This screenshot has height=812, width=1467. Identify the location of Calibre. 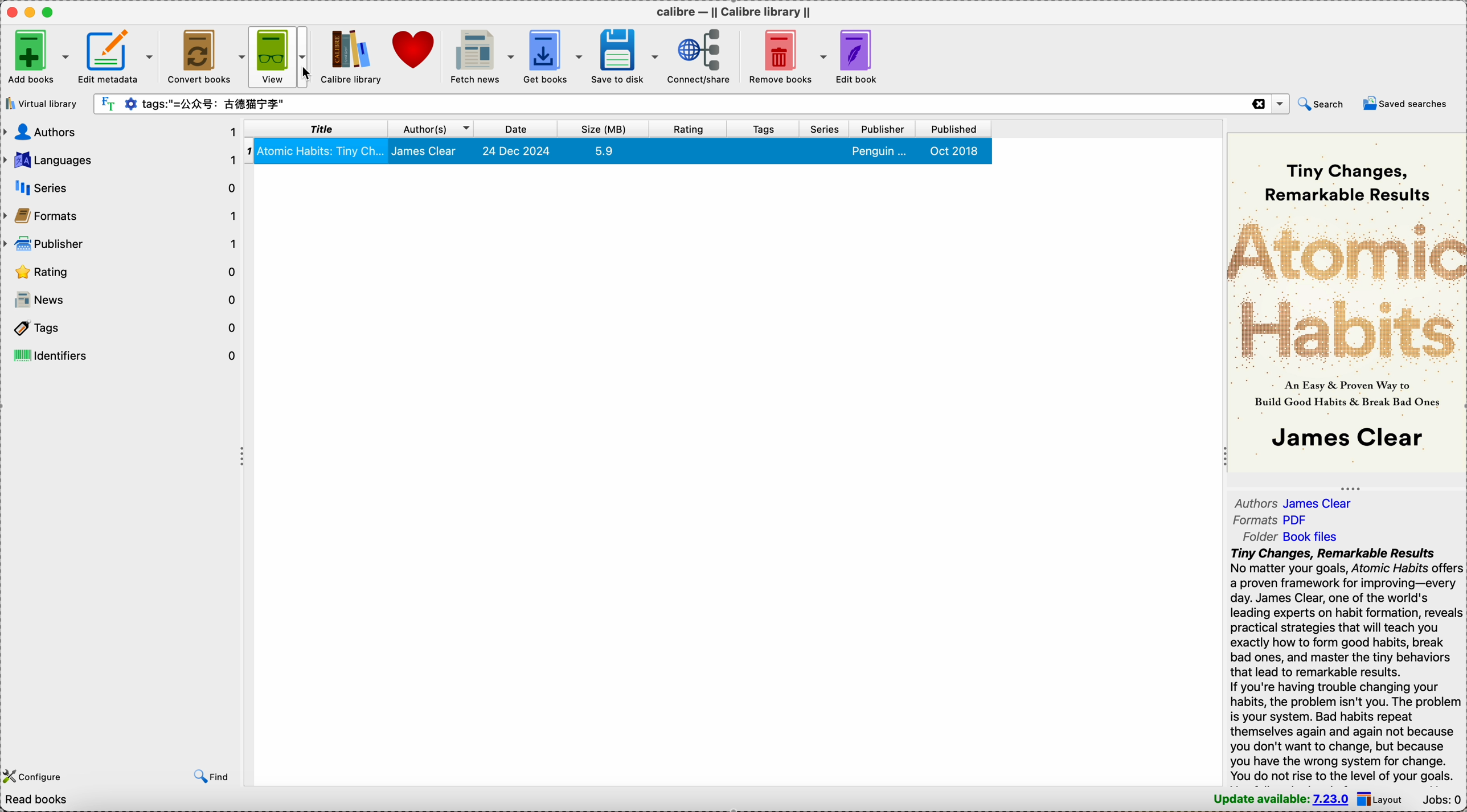
(732, 9).